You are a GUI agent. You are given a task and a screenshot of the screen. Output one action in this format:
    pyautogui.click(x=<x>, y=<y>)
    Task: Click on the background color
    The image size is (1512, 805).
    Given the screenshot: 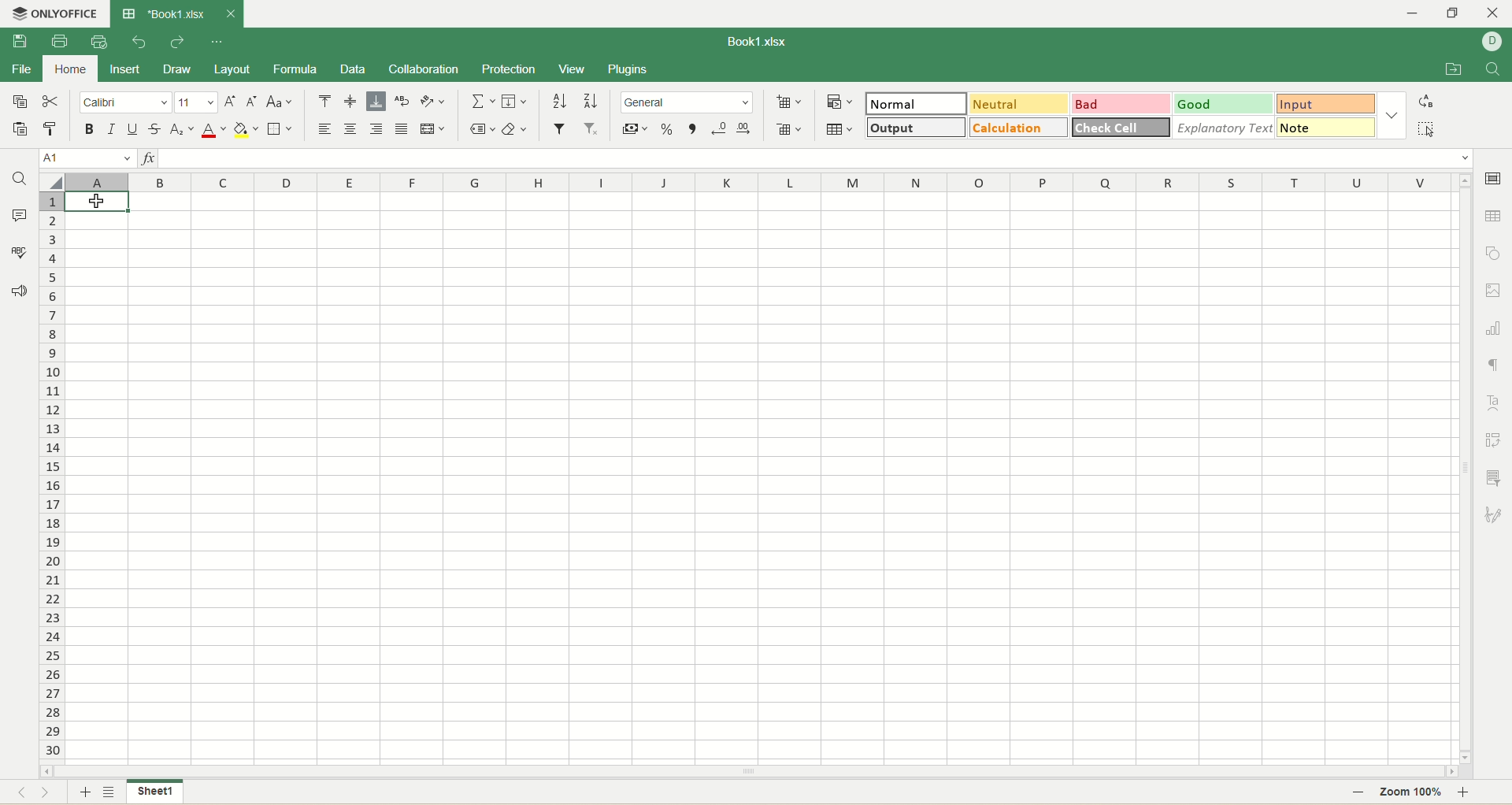 What is the action you would take?
    pyautogui.click(x=245, y=129)
    